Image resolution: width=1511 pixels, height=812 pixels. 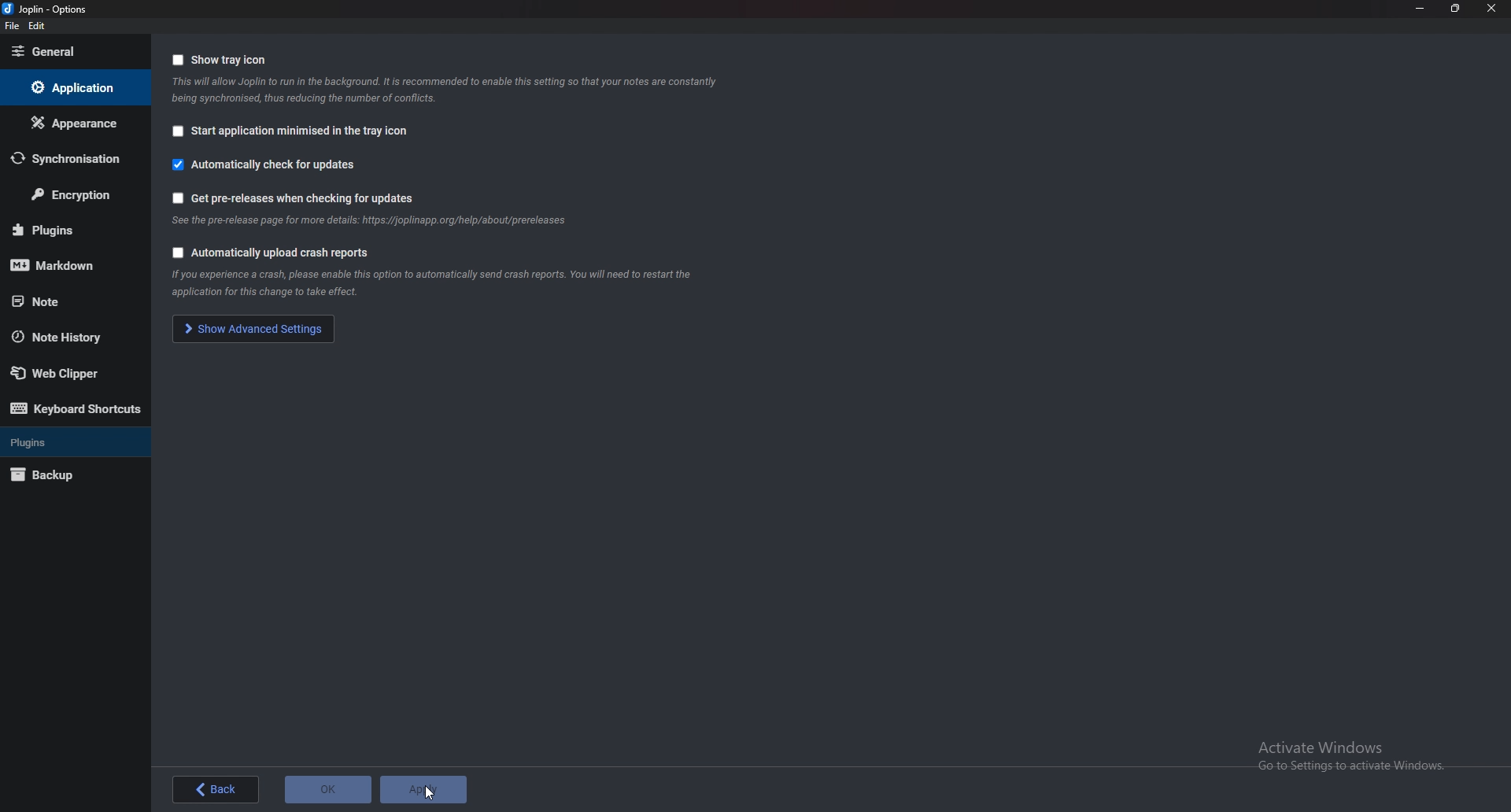 I want to click on Mark down, so click(x=68, y=264).